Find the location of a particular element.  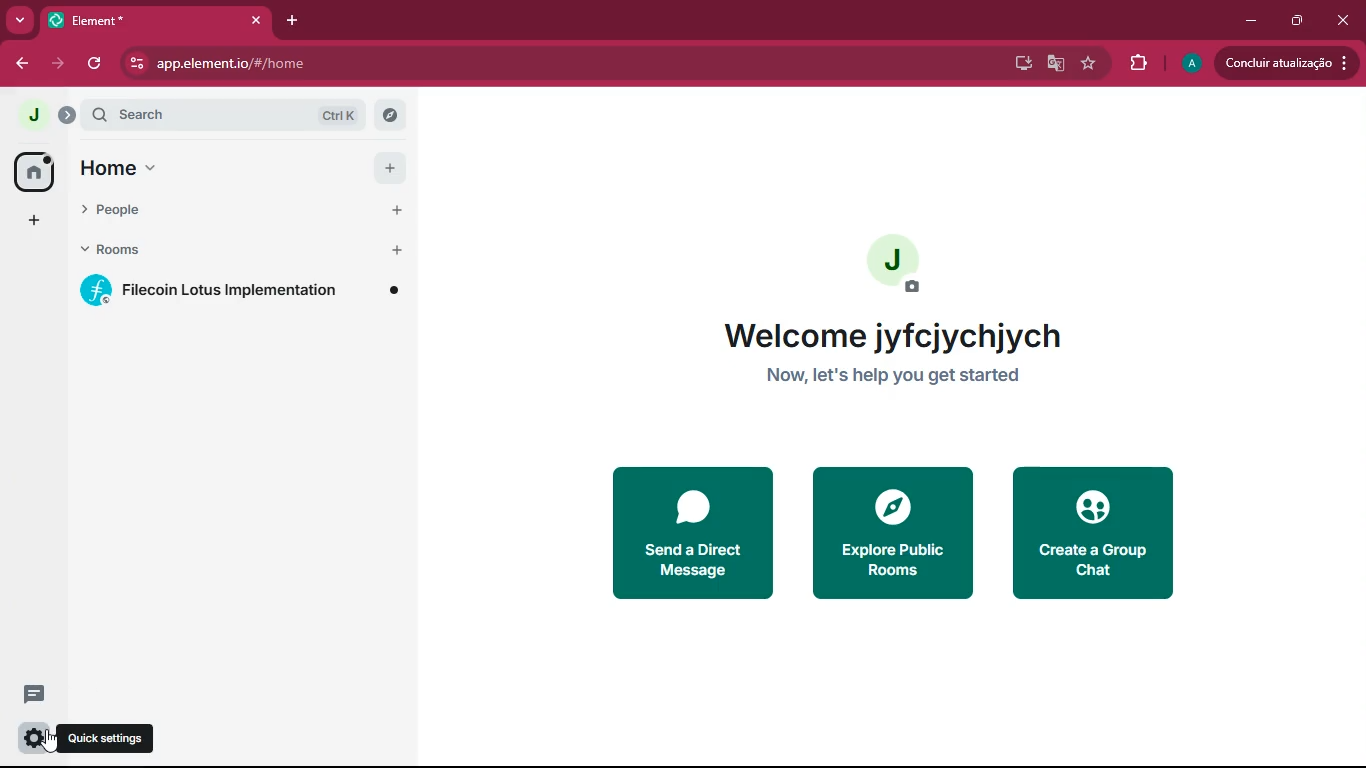

Now, let's help you get started is located at coordinates (905, 379).